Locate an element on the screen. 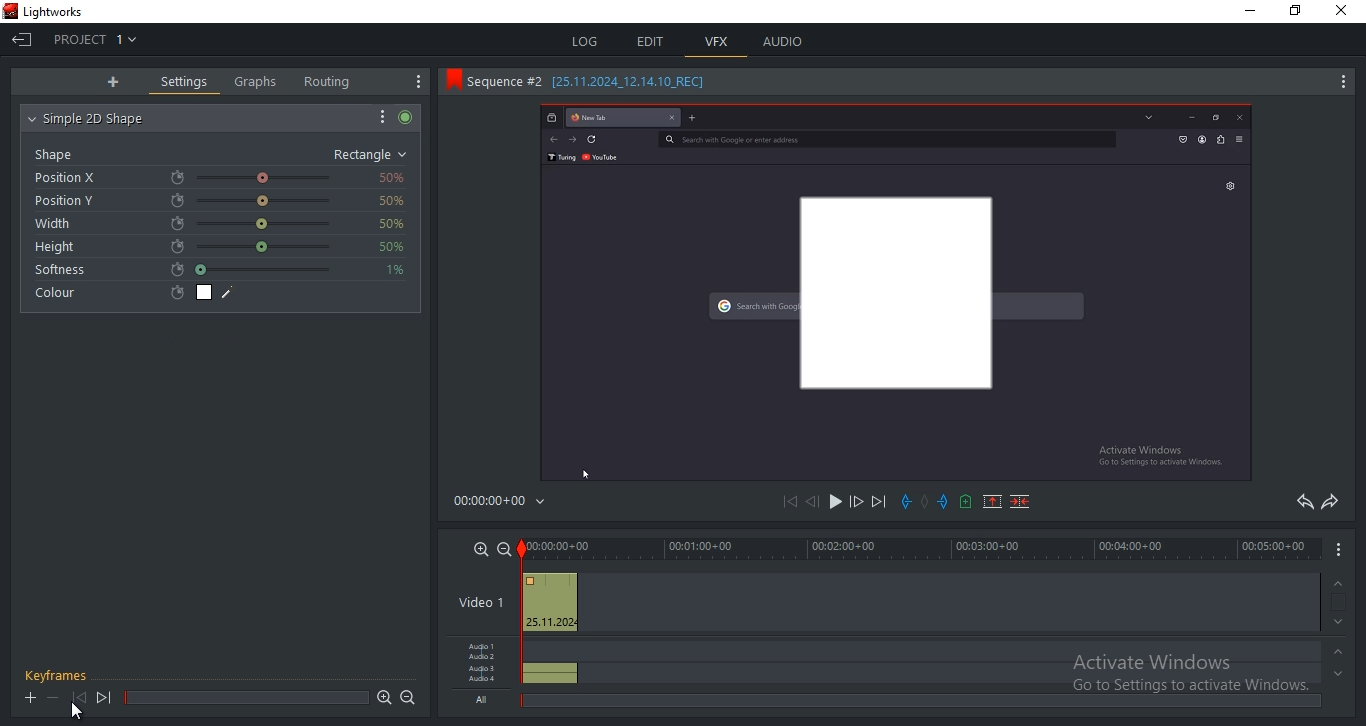 The image size is (1366, 726). routing is located at coordinates (328, 82).